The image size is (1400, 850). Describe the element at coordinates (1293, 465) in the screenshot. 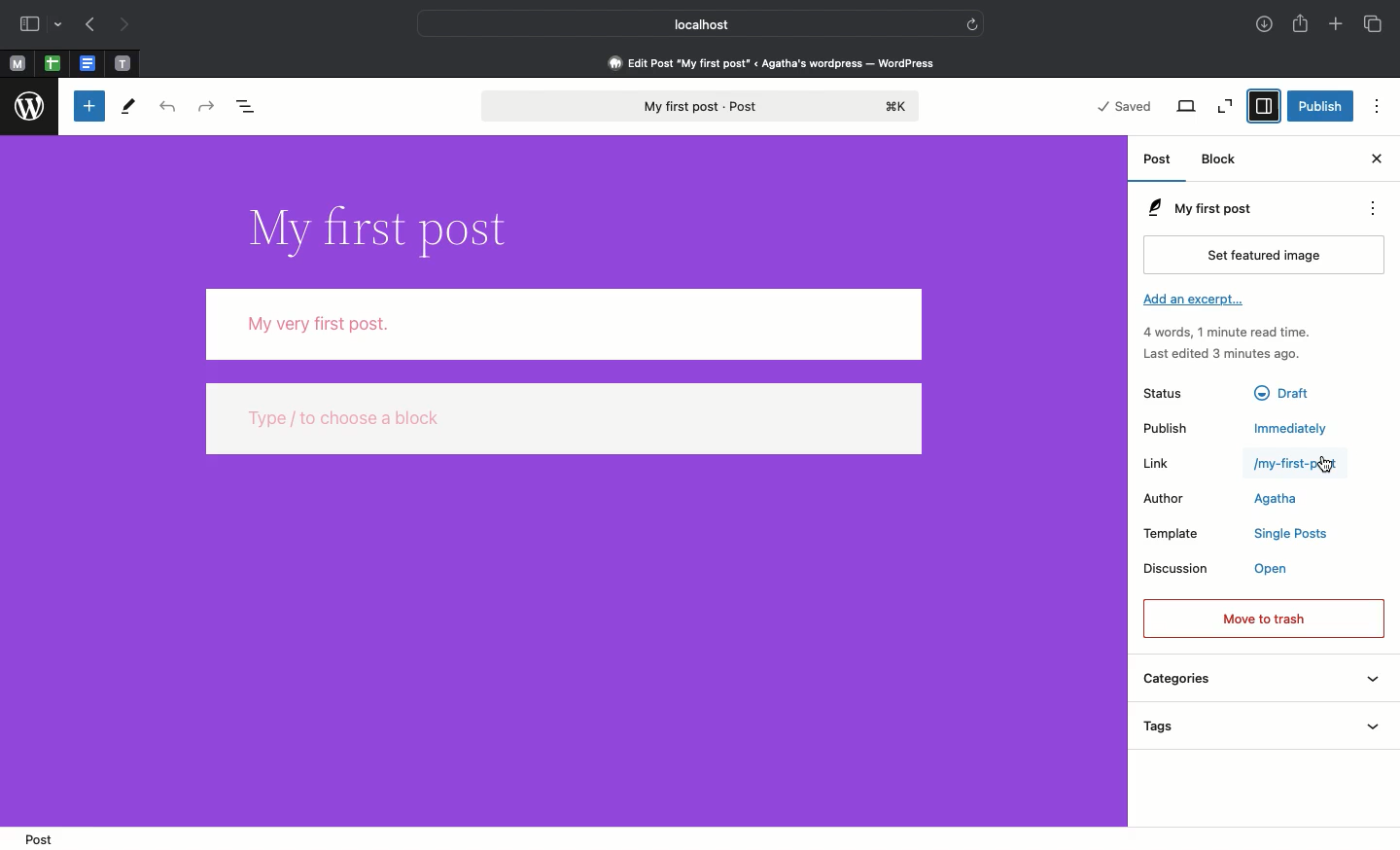

I see `/my-first-post` at that location.